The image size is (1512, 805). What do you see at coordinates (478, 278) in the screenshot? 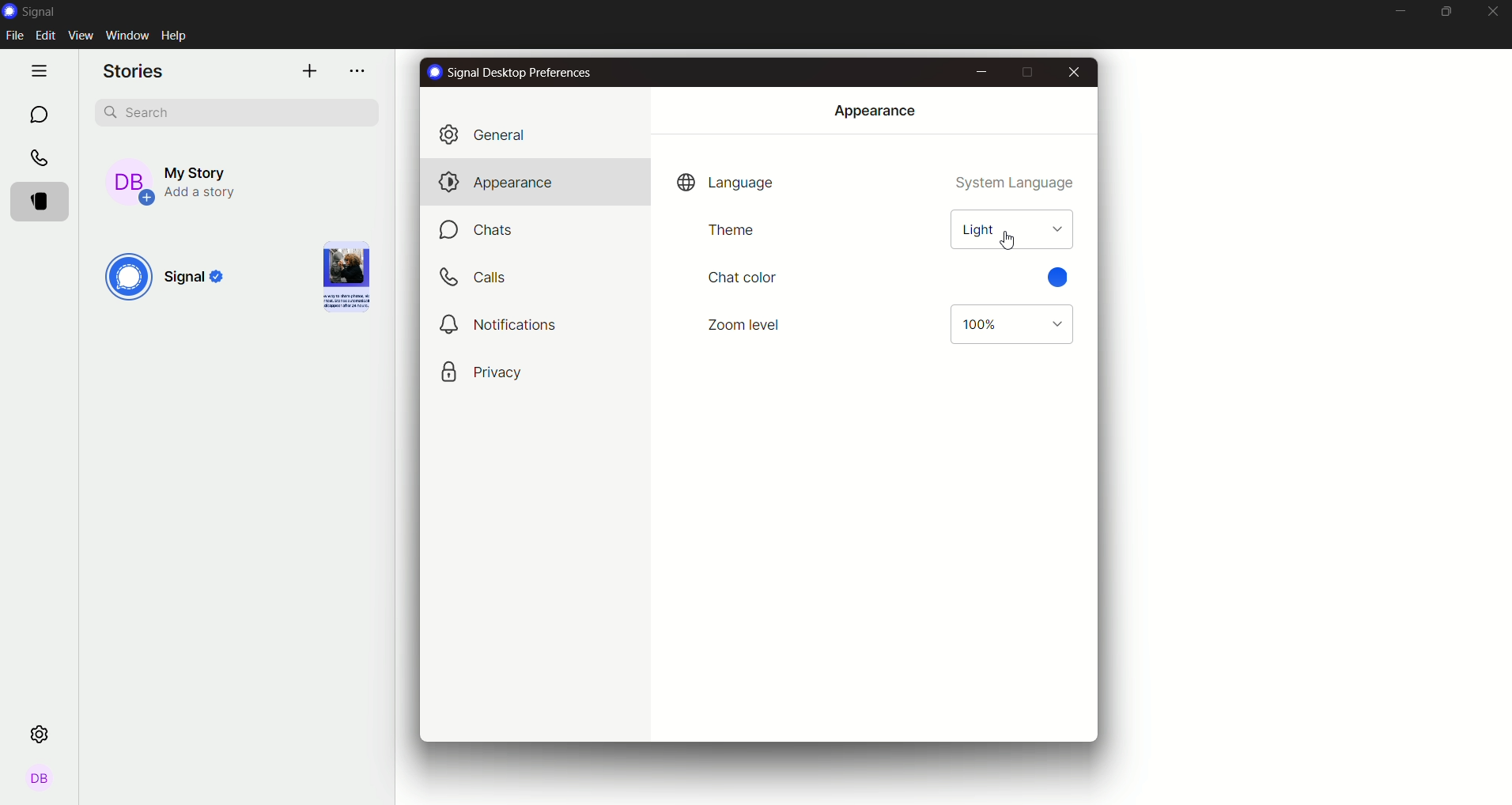
I see `calls` at bounding box center [478, 278].